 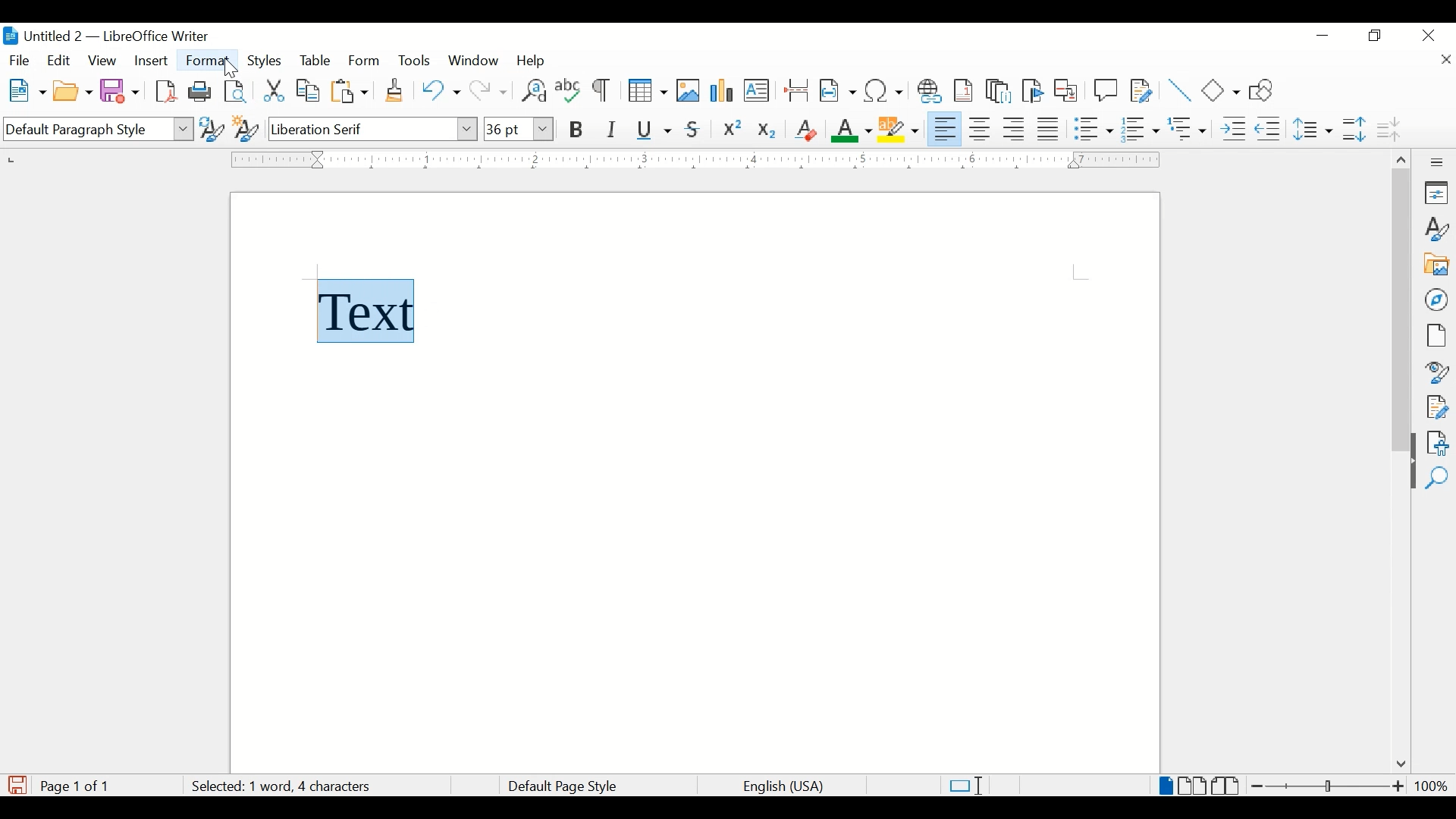 I want to click on scroll box, so click(x=1401, y=312).